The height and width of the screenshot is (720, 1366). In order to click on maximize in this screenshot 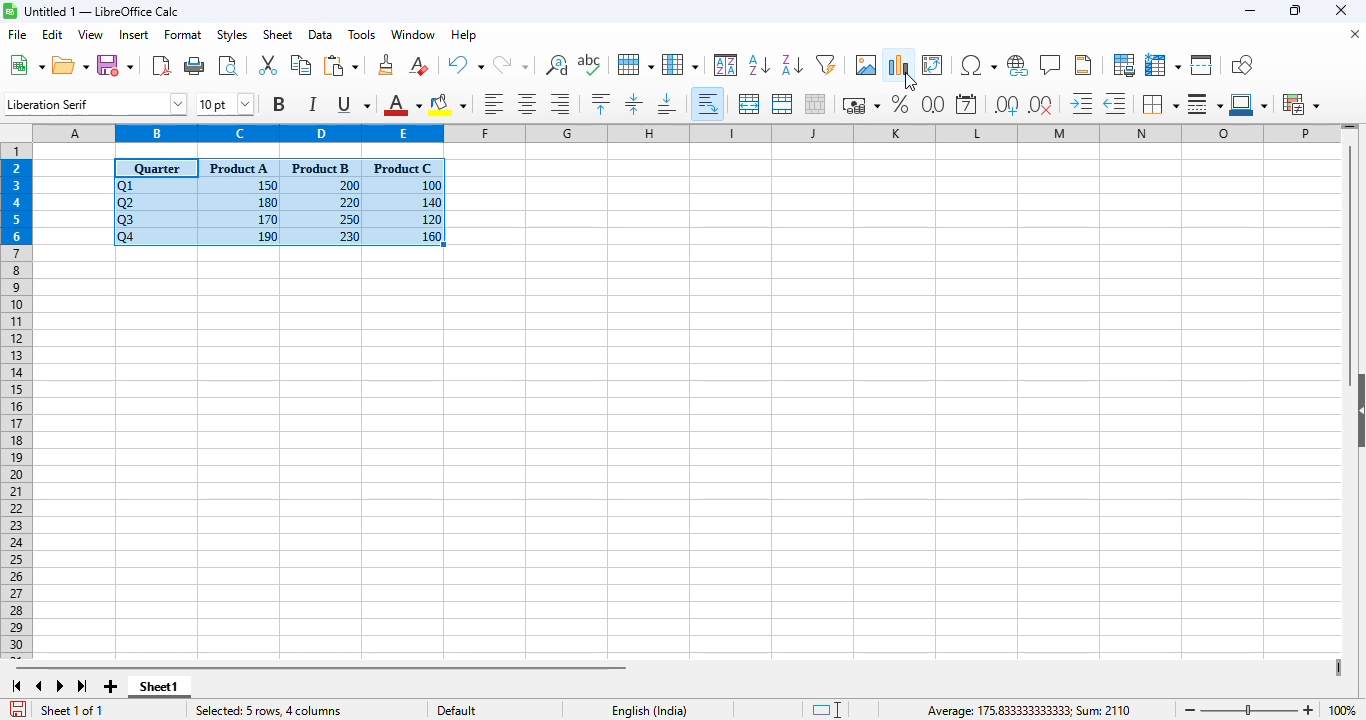, I will do `click(1297, 11)`.